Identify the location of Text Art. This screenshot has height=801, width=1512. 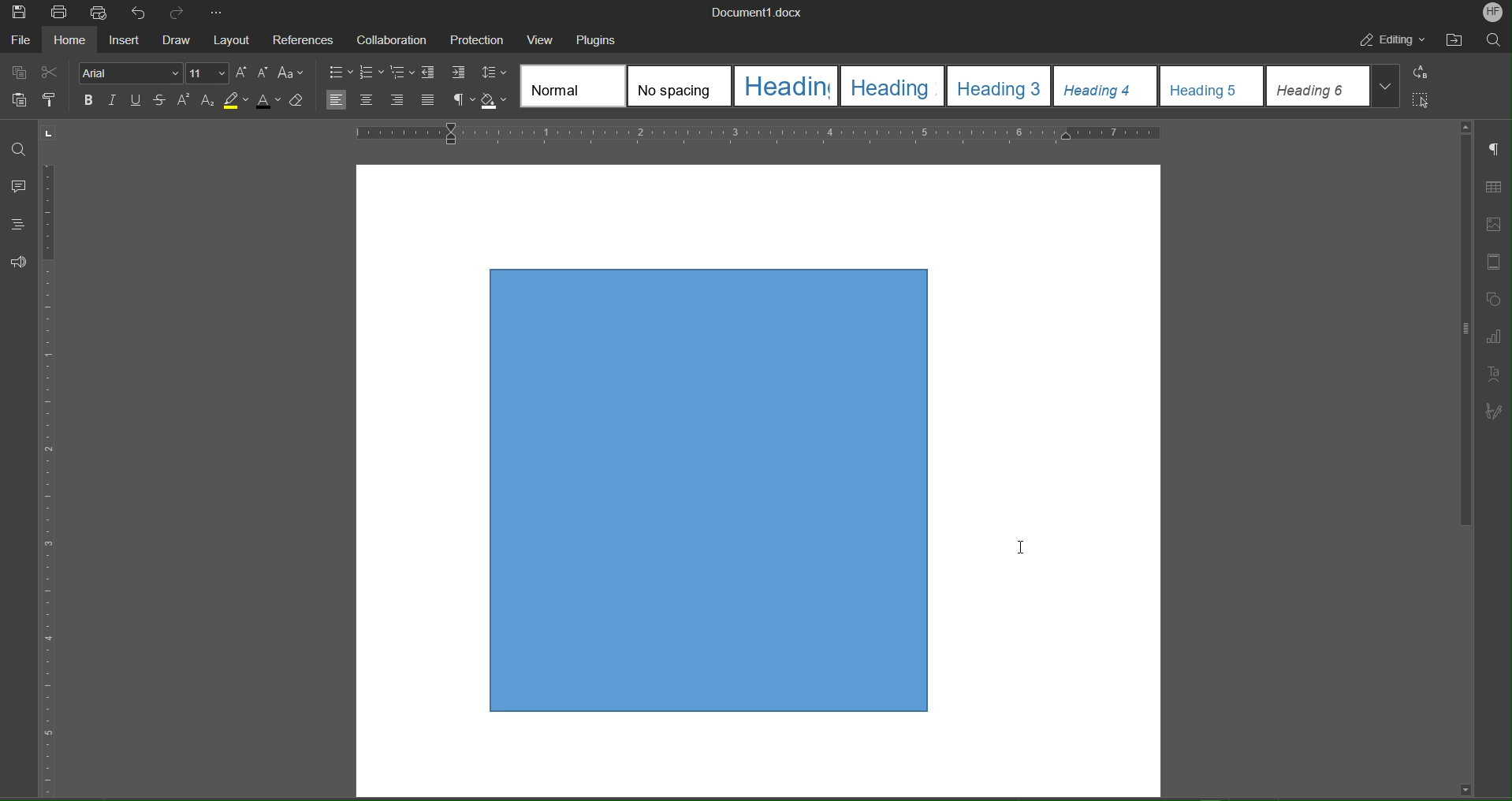
(1496, 371).